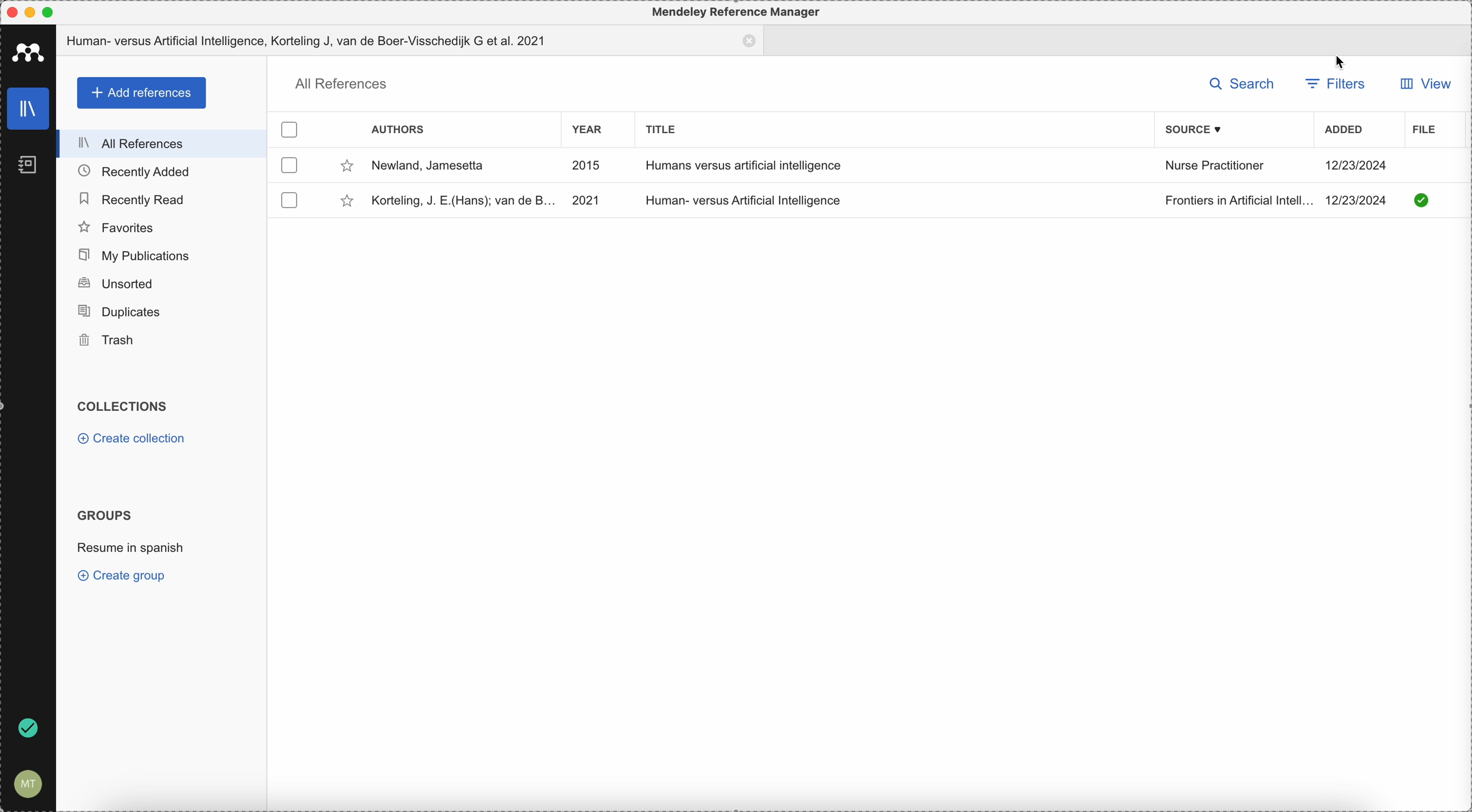 This screenshot has width=1472, height=812. Describe the element at coordinates (1239, 200) in the screenshot. I see `Frontiers in Artificial Intelligence` at that location.